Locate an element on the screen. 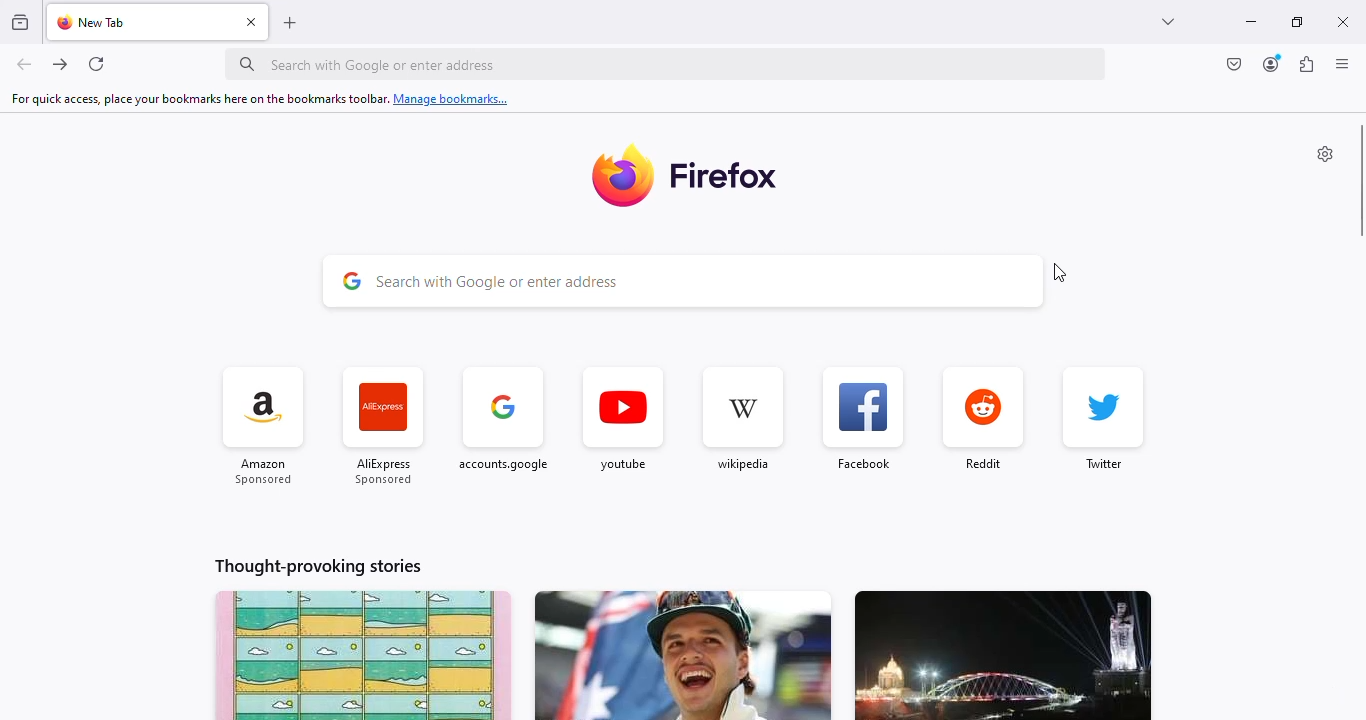 This screenshot has height=720, width=1366. search is located at coordinates (683, 282).